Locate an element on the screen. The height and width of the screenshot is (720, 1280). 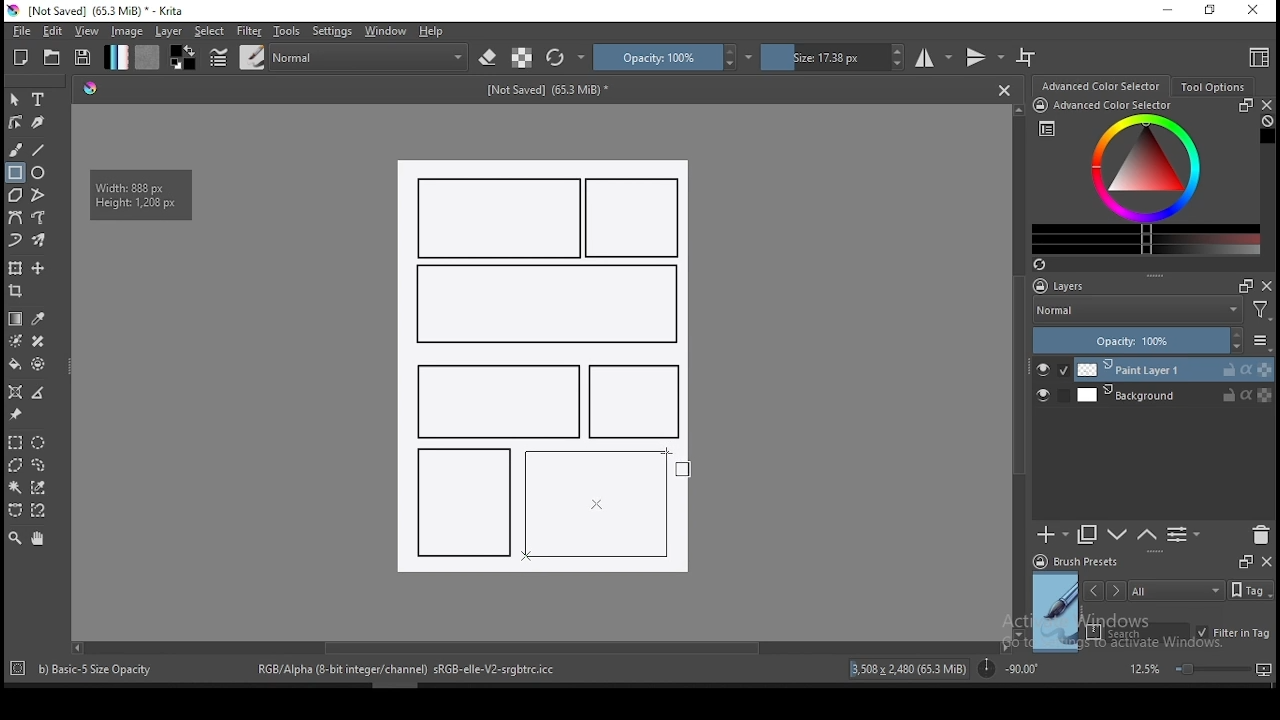
colorize mask tool is located at coordinates (17, 341).